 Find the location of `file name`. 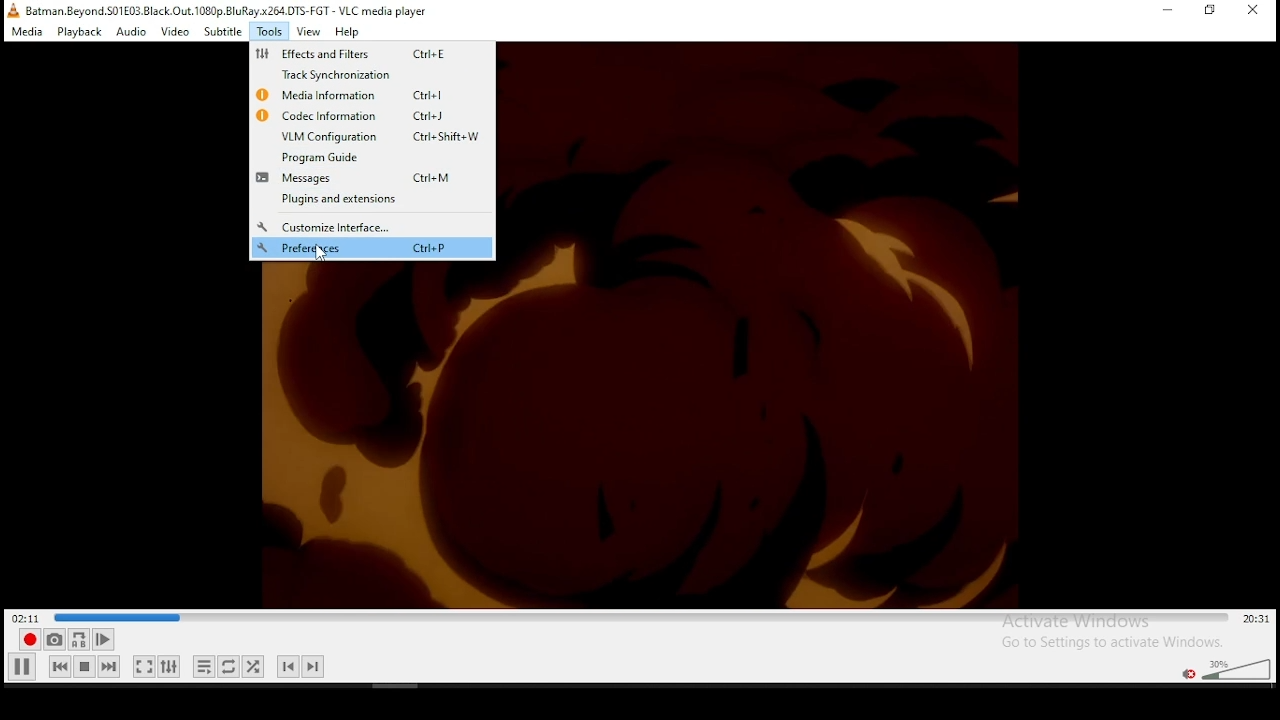

file name is located at coordinates (227, 10).